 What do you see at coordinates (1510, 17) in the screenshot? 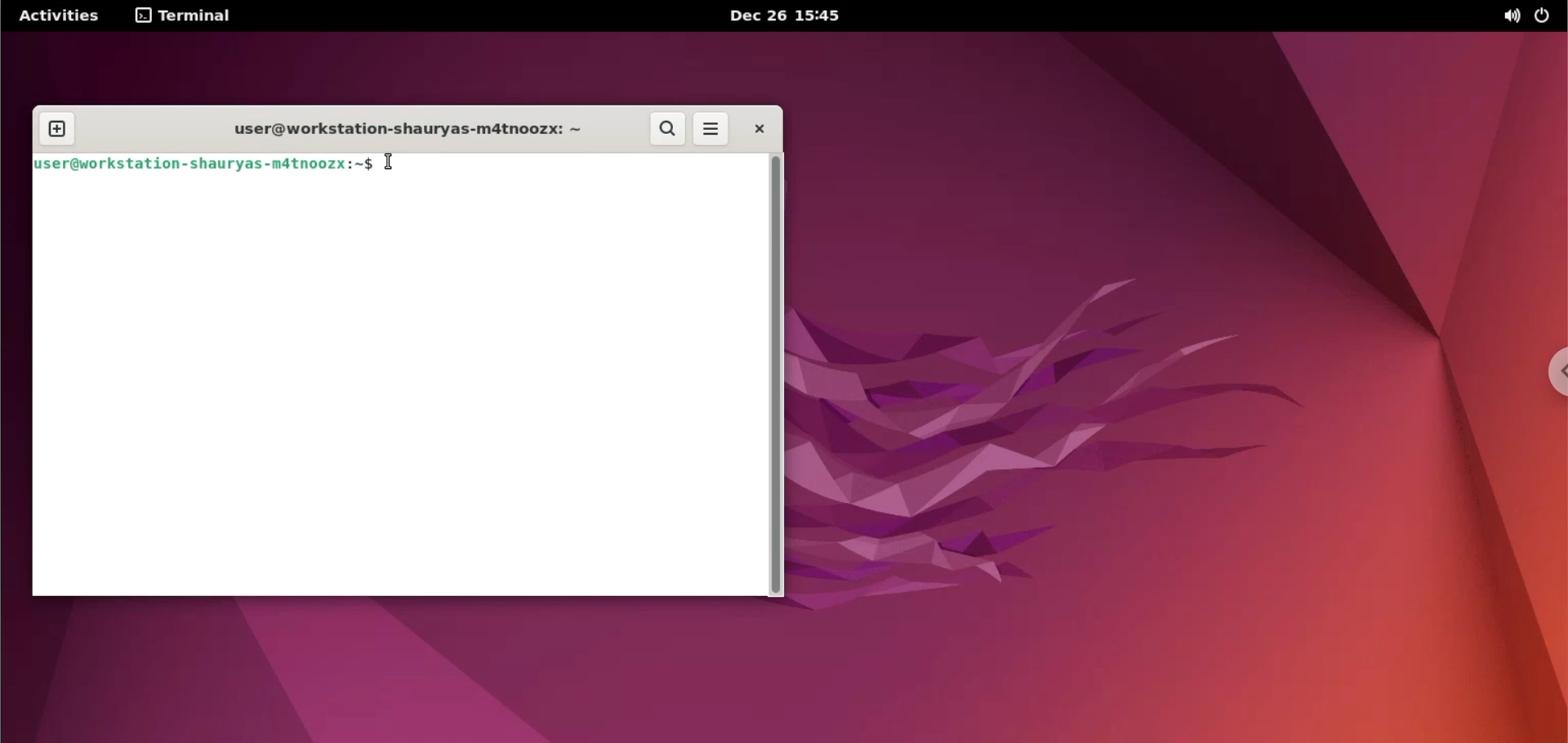
I see `sound options` at bounding box center [1510, 17].